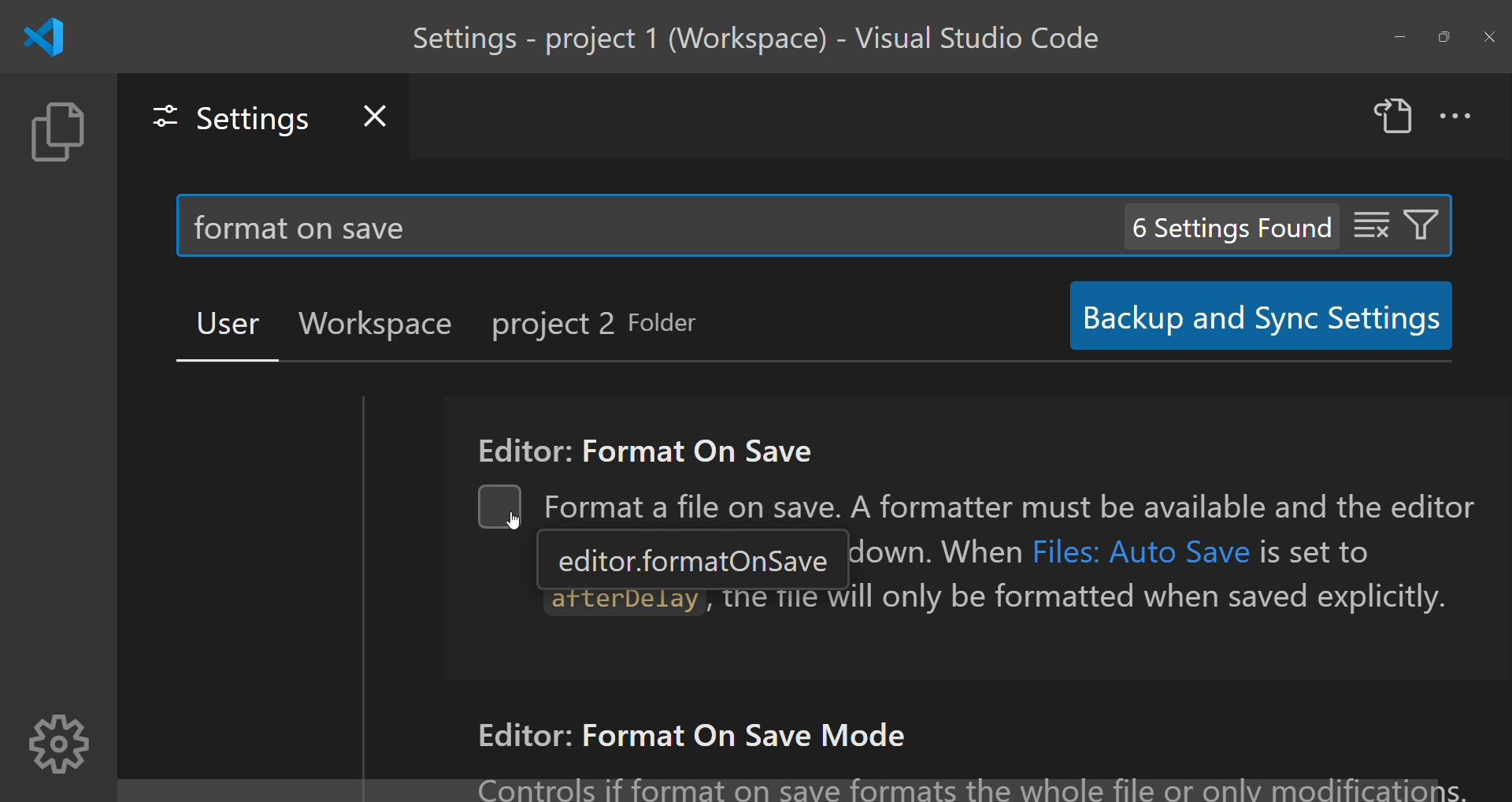 The image size is (1512, 802). Describe the element at coordinates (1392, 38) in the screenshot. I see `minimize` at that location.